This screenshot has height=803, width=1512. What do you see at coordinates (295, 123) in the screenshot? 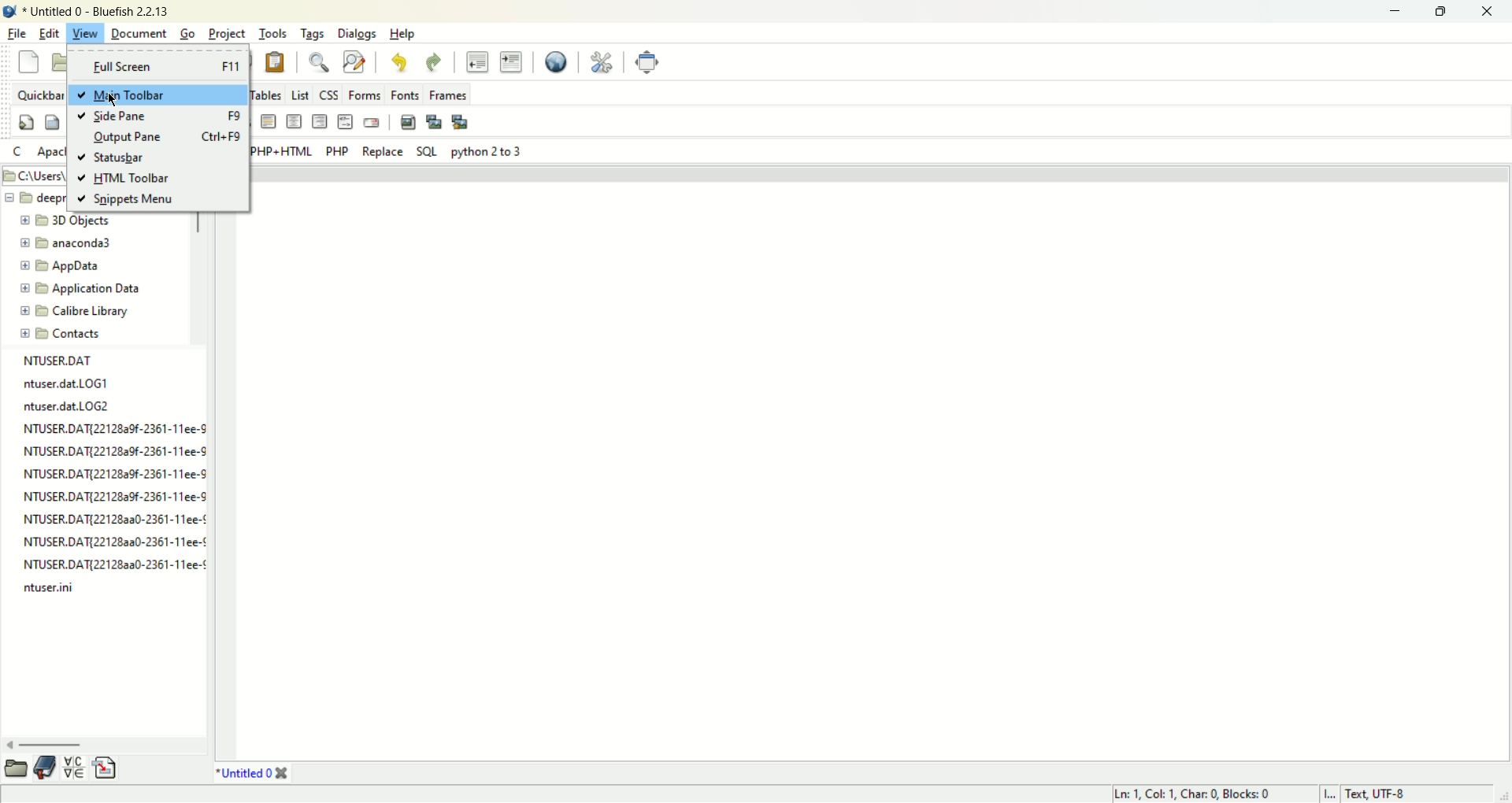
I see `center` at bounding box center [295, 123].